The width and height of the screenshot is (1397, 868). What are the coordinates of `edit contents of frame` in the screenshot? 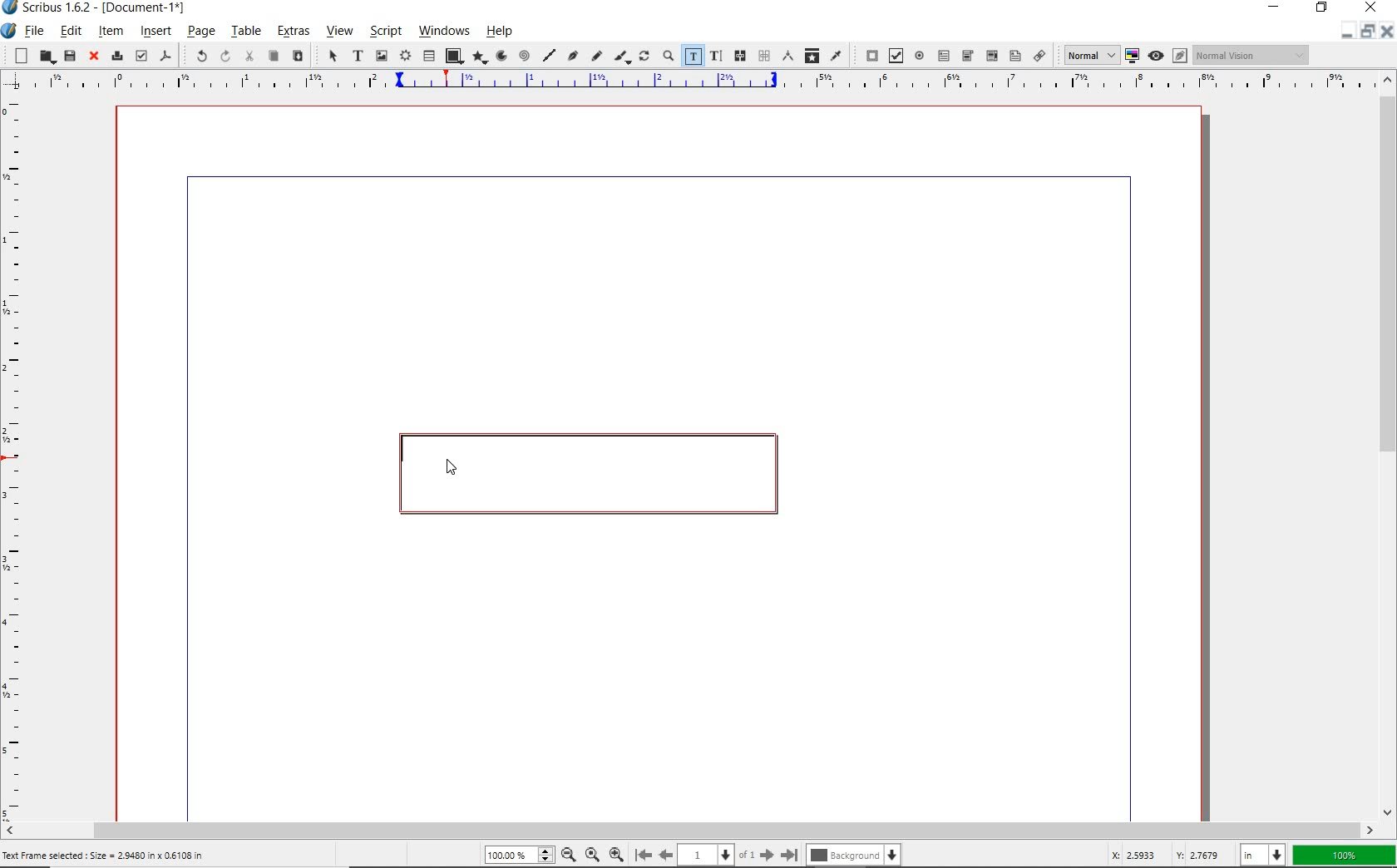 It's located at (693, 57).